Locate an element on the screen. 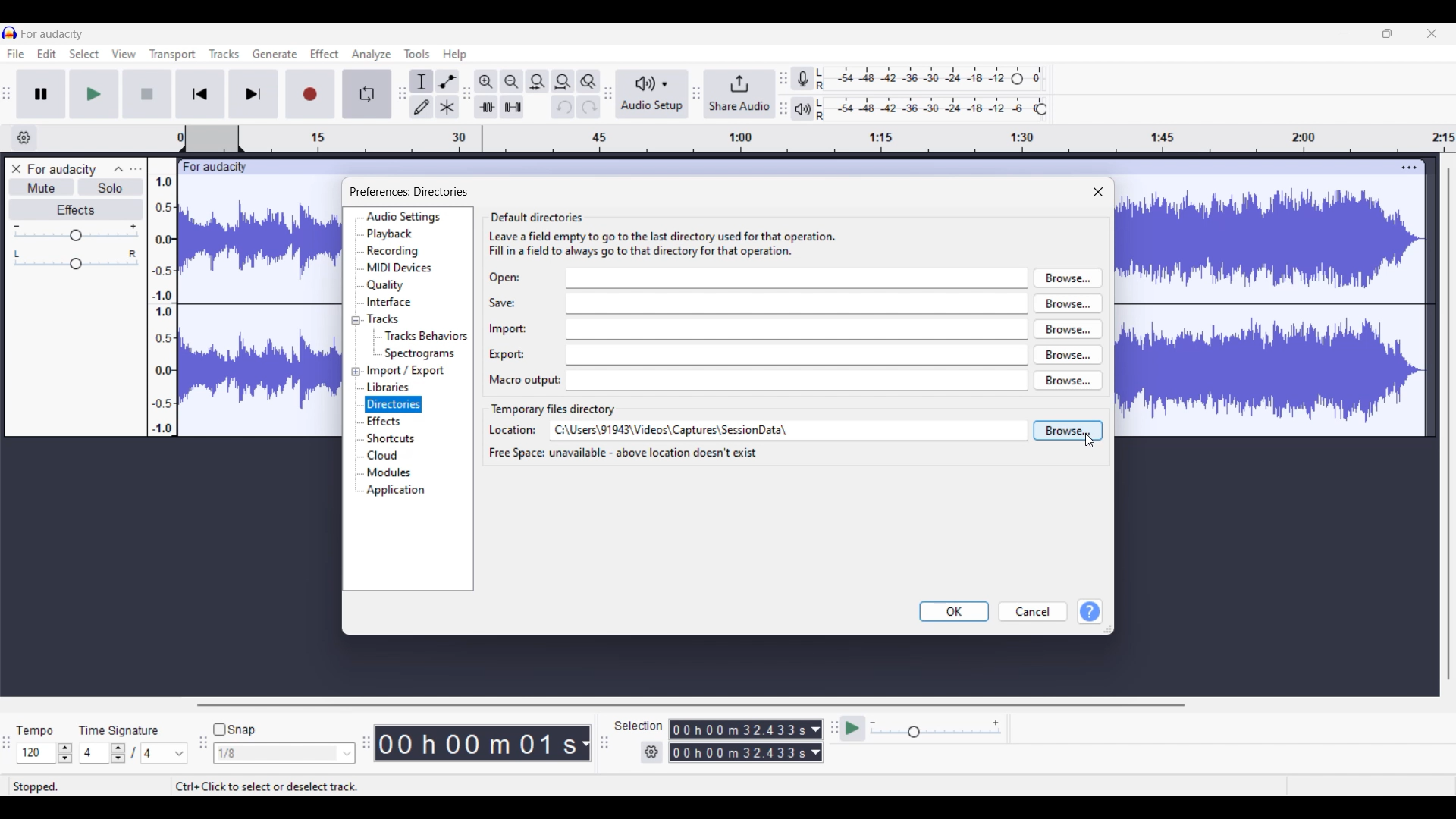  Playback speed scale is located at coordinates (936, 728).